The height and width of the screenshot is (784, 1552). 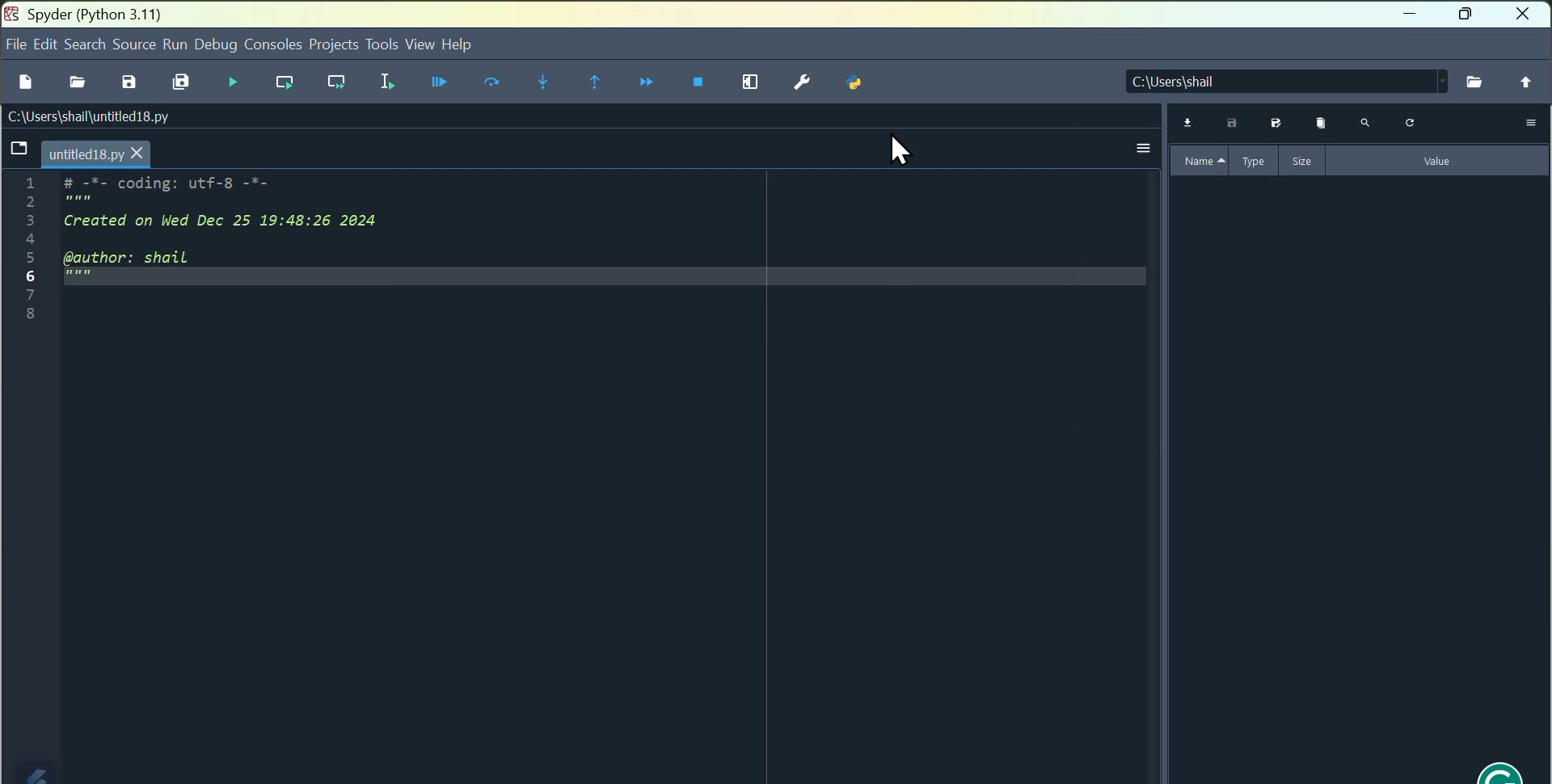 I want to click on Stop debugging, so click(x=698, y=86).